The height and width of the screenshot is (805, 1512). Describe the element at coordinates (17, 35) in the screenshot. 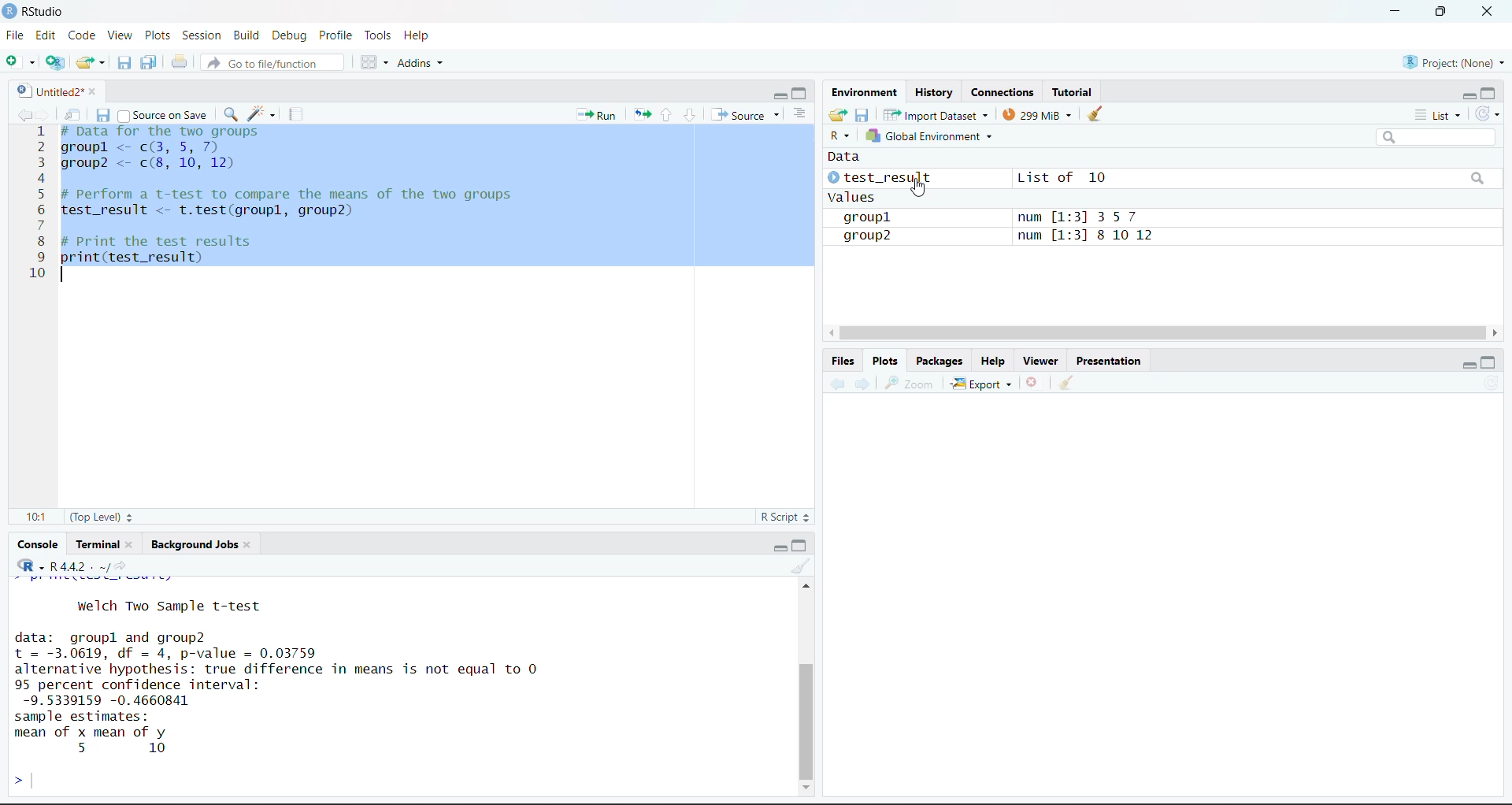

I see `File` at that location.